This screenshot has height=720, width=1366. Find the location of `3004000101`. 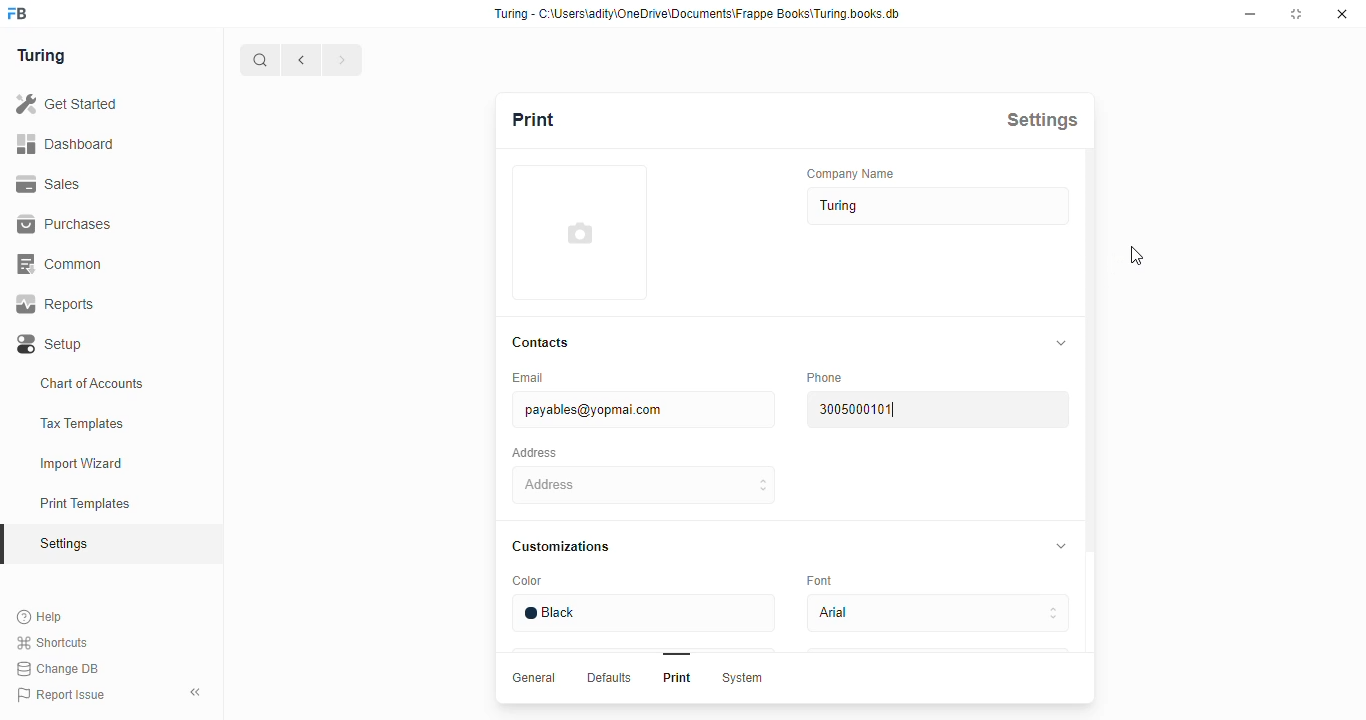

3004000101 is located at coordinates (946, 412).